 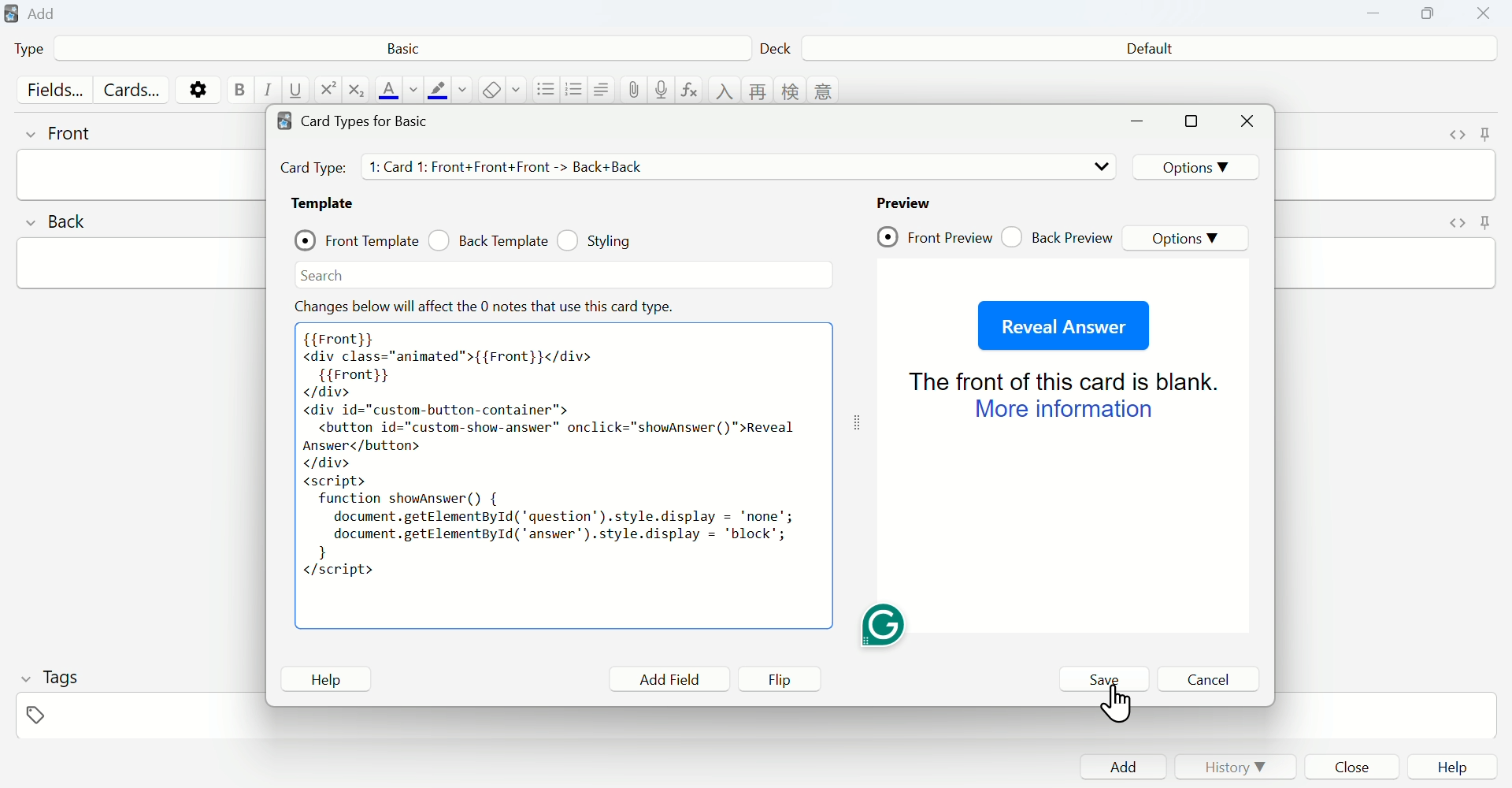 I want to click on Close, so click(x=1486, y=21).